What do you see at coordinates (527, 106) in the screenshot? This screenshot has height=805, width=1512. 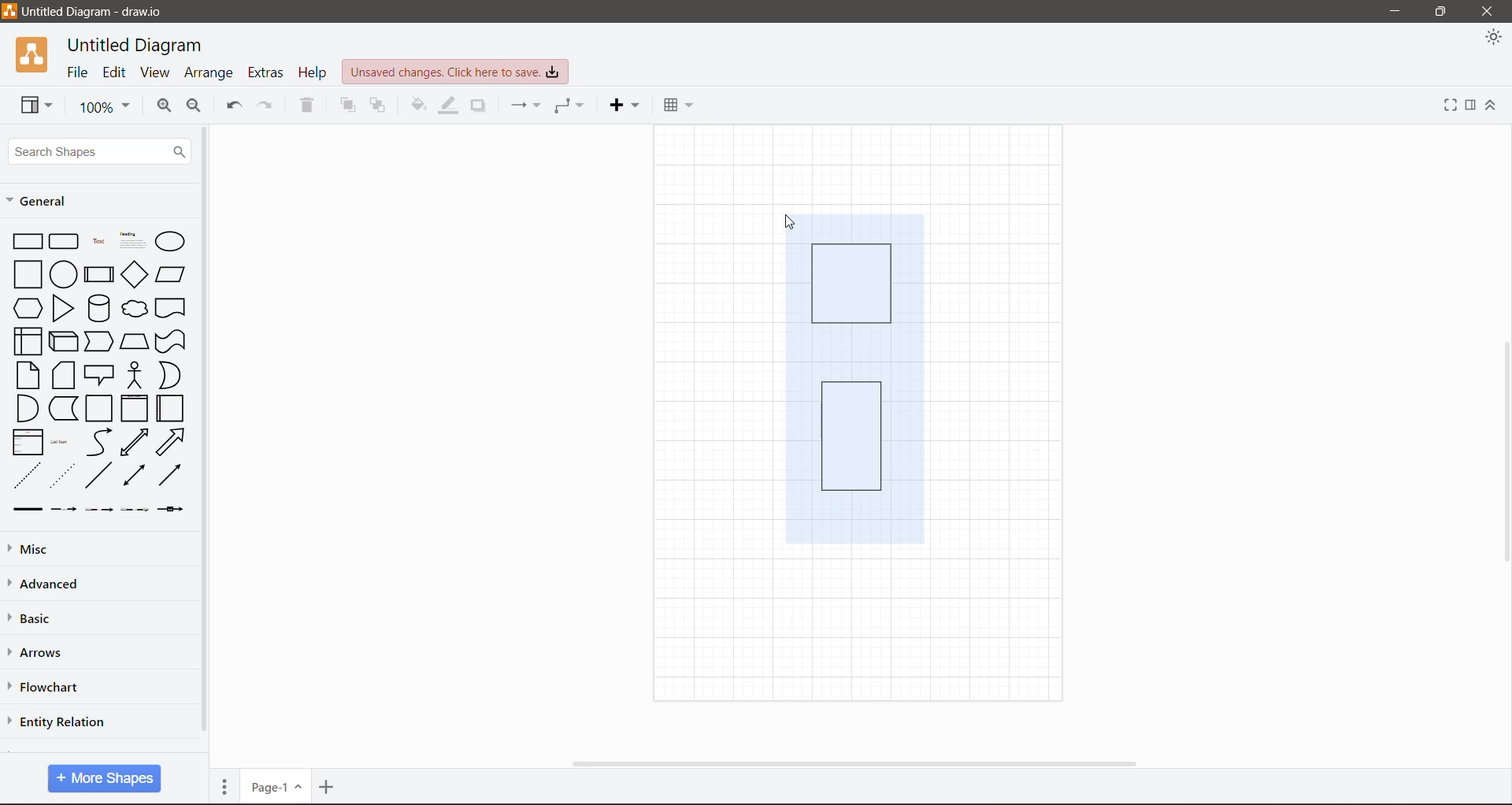 I see `Connection` at bounding box center [527, 106].